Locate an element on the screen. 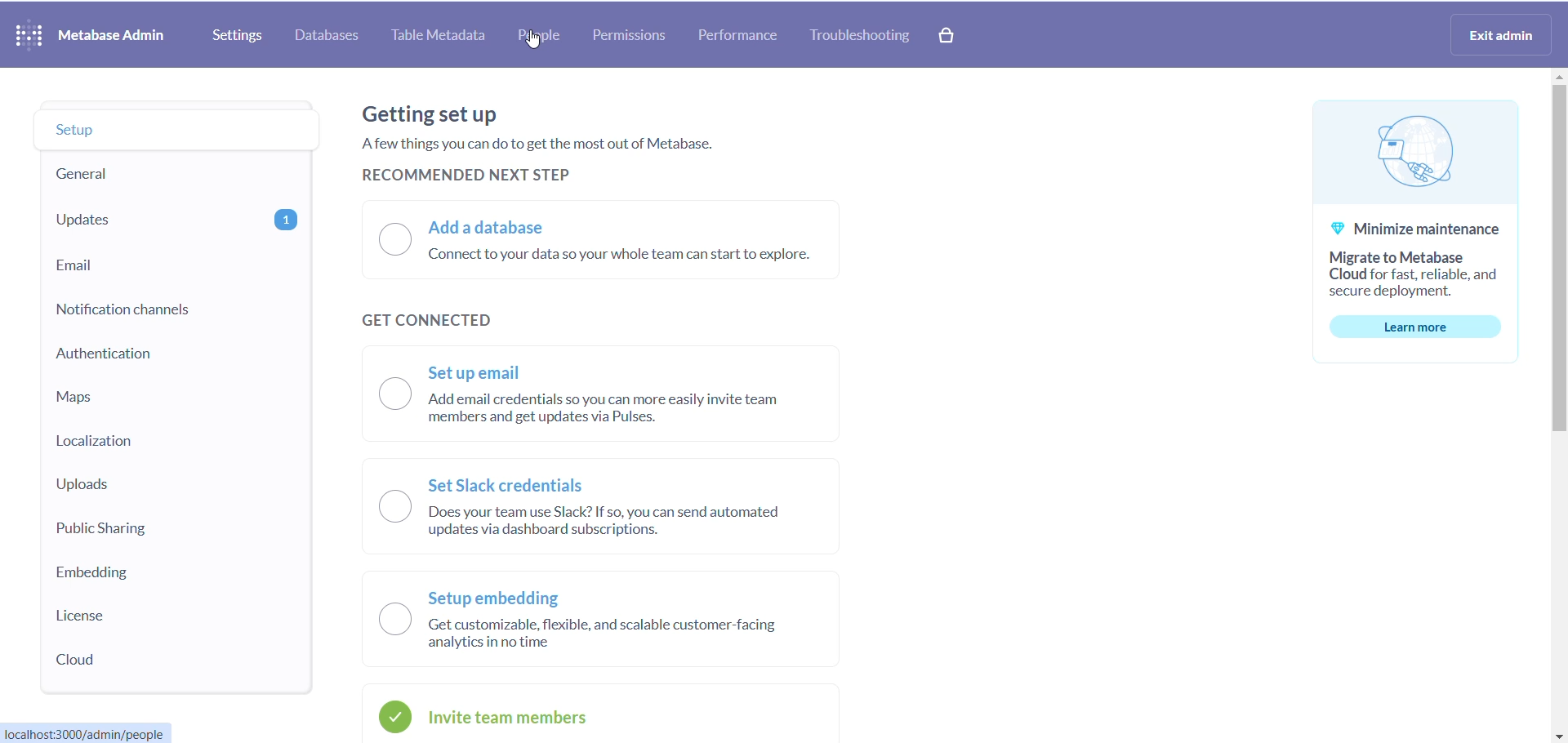  set slack credential radio button is located at coordinates (608, 517).